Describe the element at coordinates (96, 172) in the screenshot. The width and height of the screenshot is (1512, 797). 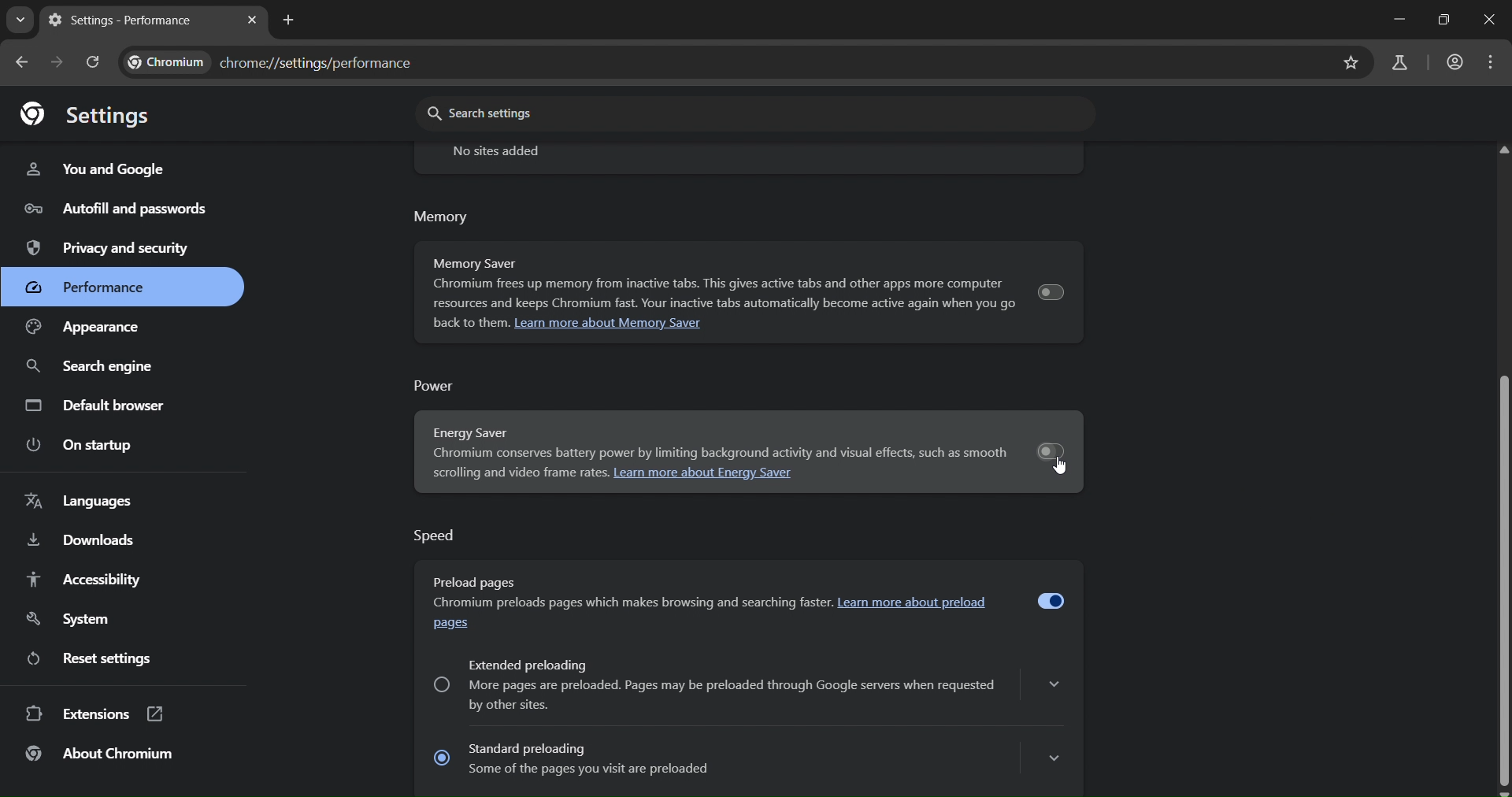
I see `you and google` at that location.